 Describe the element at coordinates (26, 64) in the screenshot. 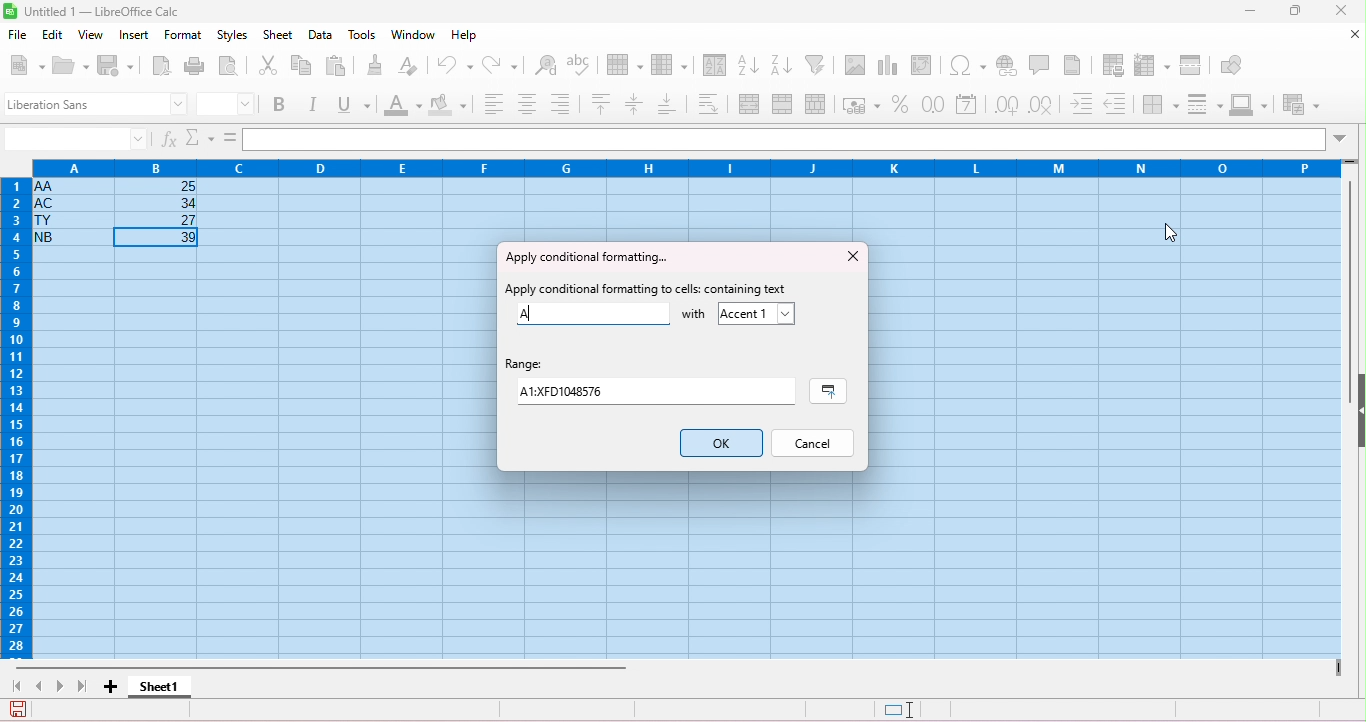

I see `new` at that location.